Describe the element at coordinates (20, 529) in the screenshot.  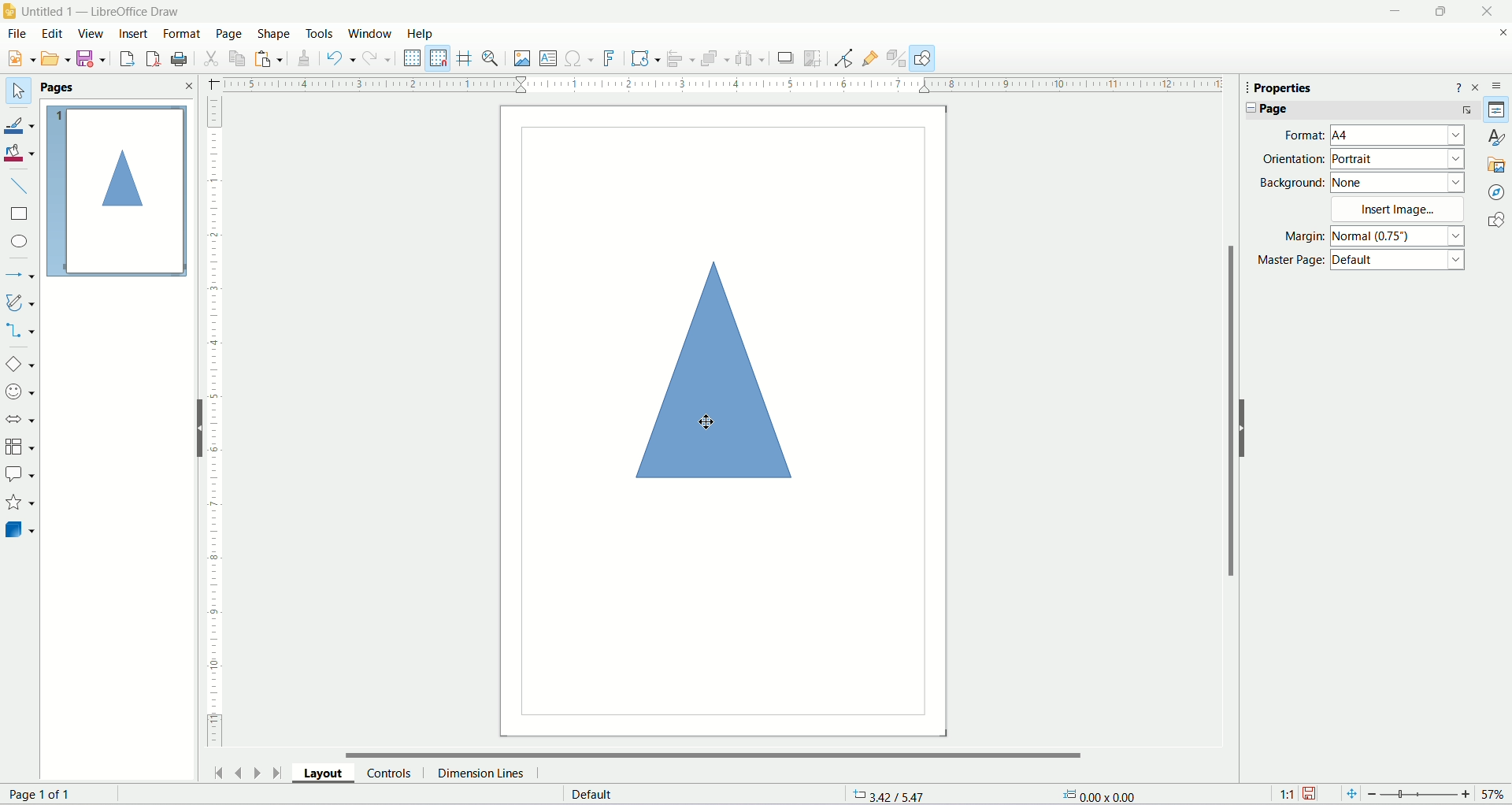
I see `3D Objects` at that location.